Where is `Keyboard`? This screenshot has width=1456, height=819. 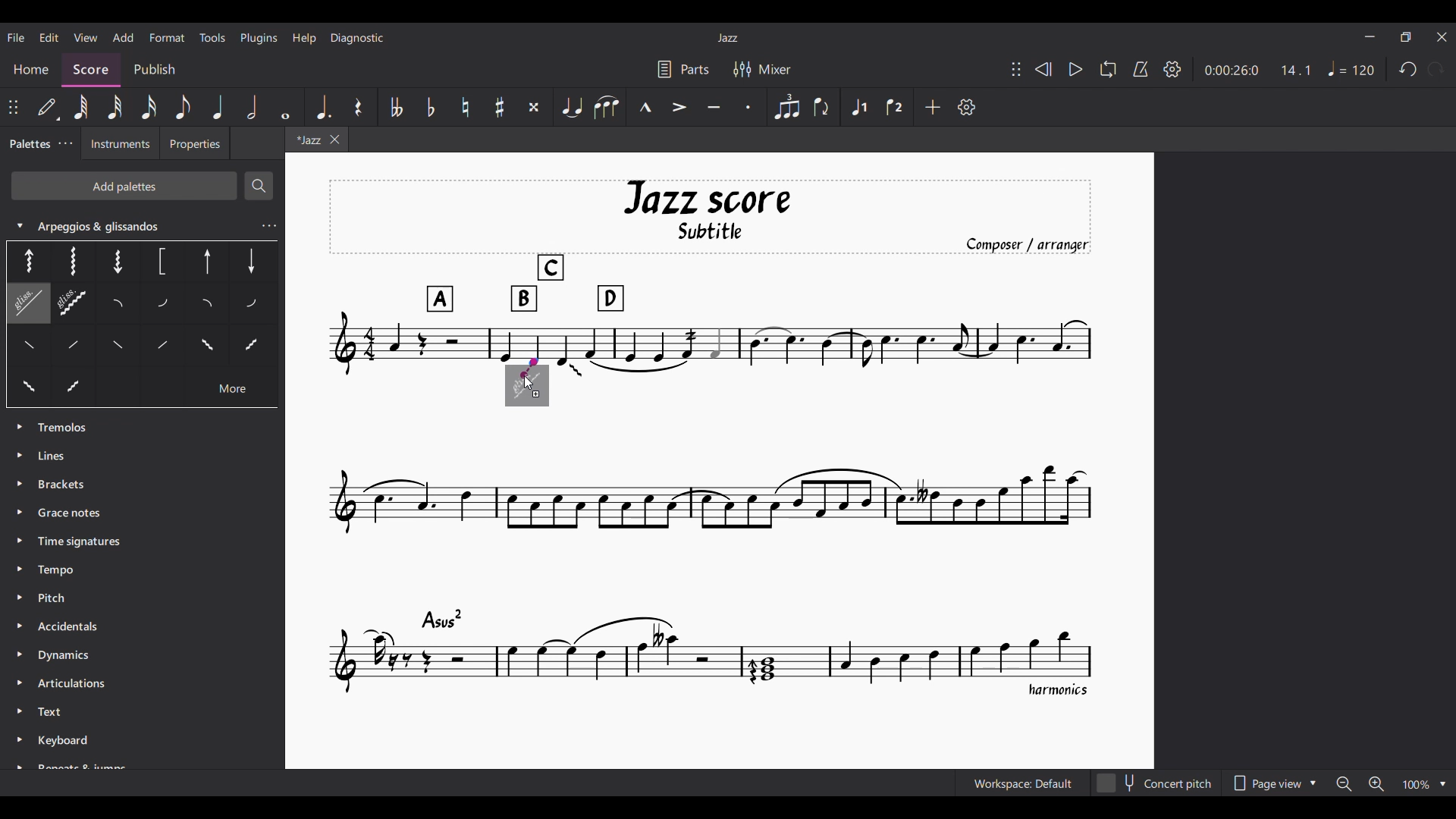 Keyboard is located at coordinates (69, 743).